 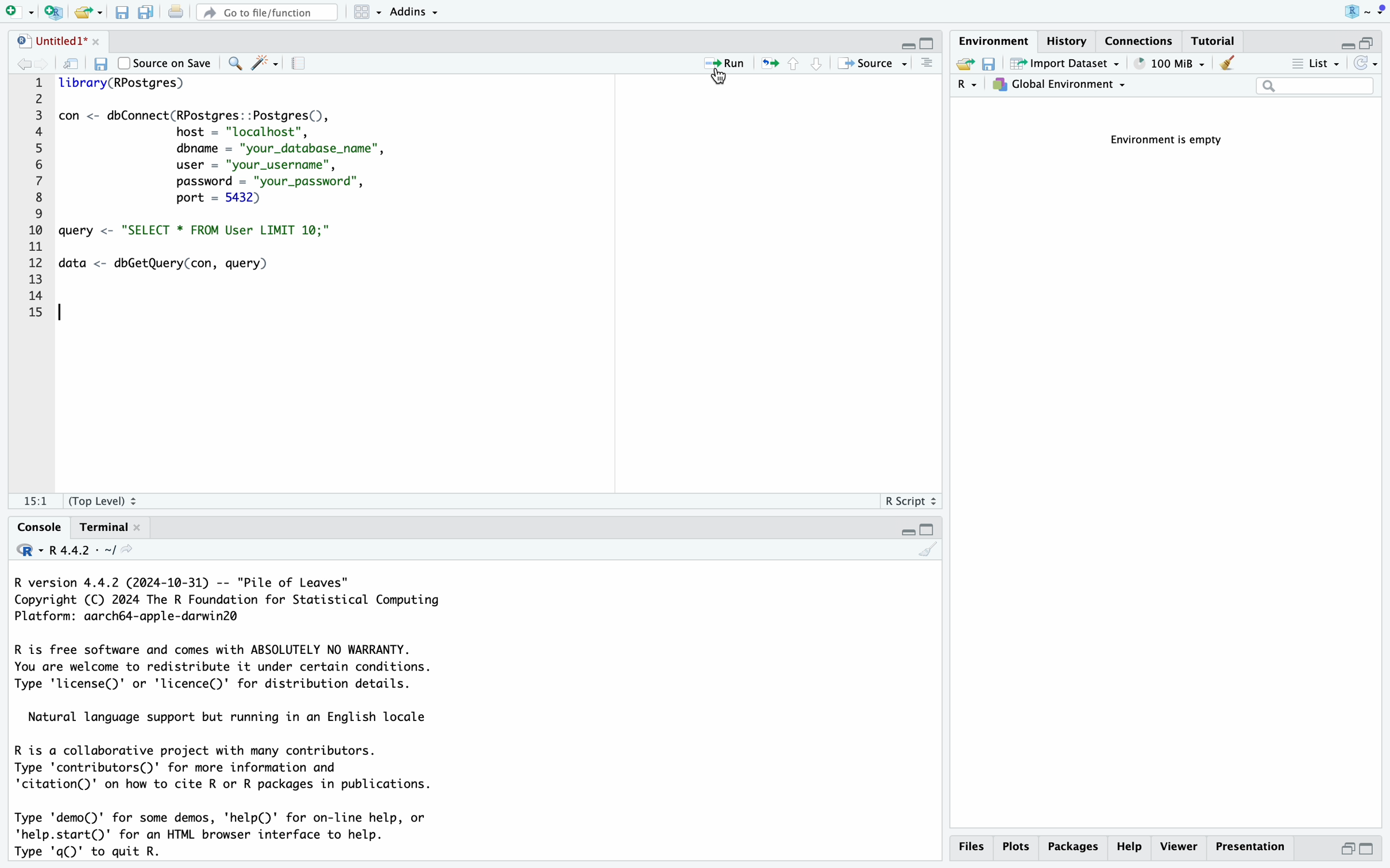 I want to click on history, so click(x=1071, y=40).